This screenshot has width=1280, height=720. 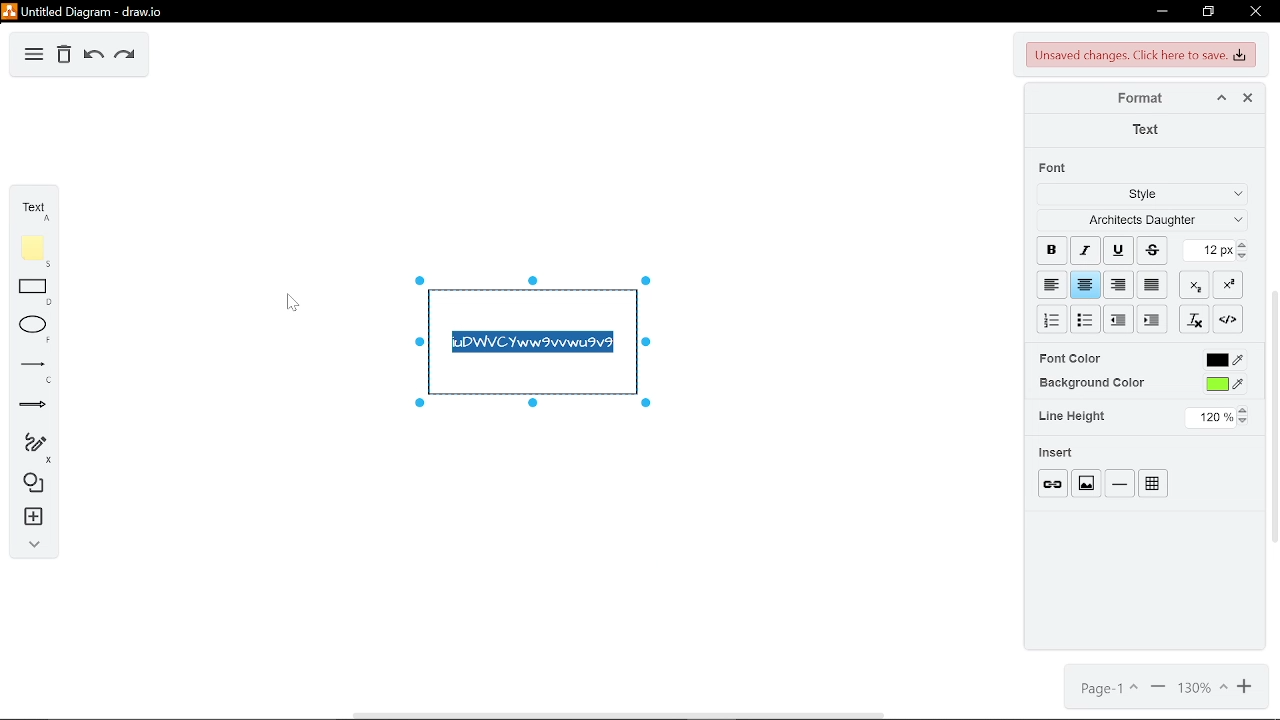 What do you see at coordinates (64, 56) in the screenshot?
I see `delete` at bounding box center [64, 56].